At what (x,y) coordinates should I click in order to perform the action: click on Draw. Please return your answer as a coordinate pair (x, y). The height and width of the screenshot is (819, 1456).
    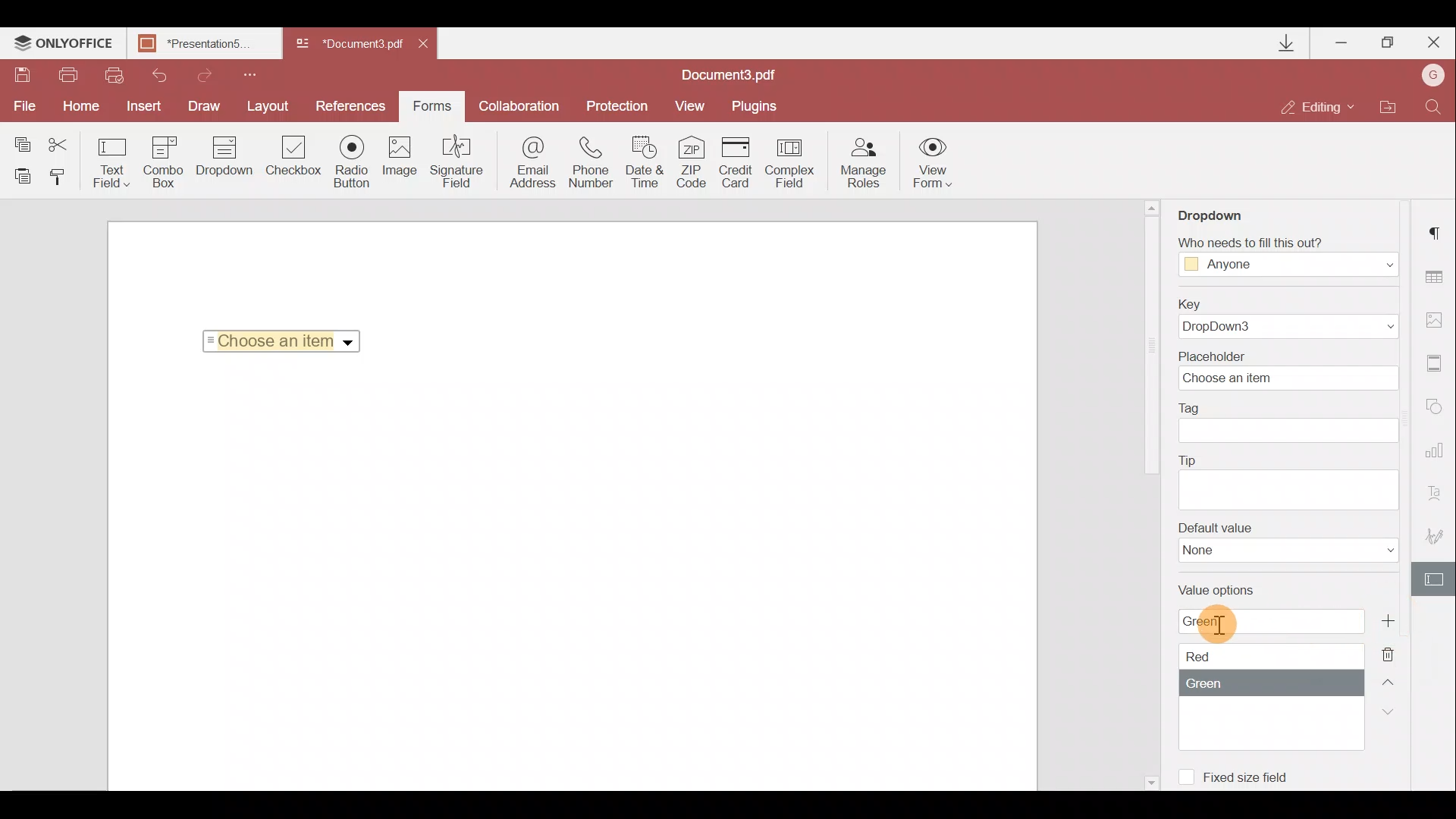
    Looking at the image, I should click on (208, 106).